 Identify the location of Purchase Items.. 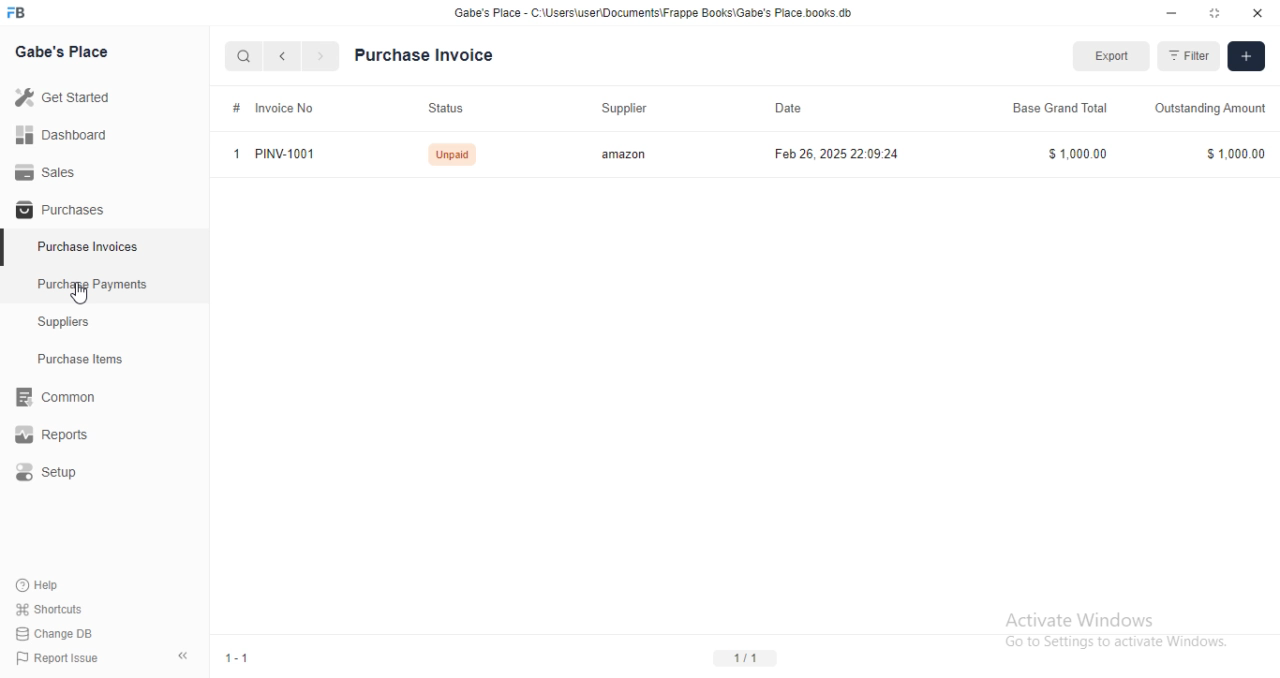
(87, 361).